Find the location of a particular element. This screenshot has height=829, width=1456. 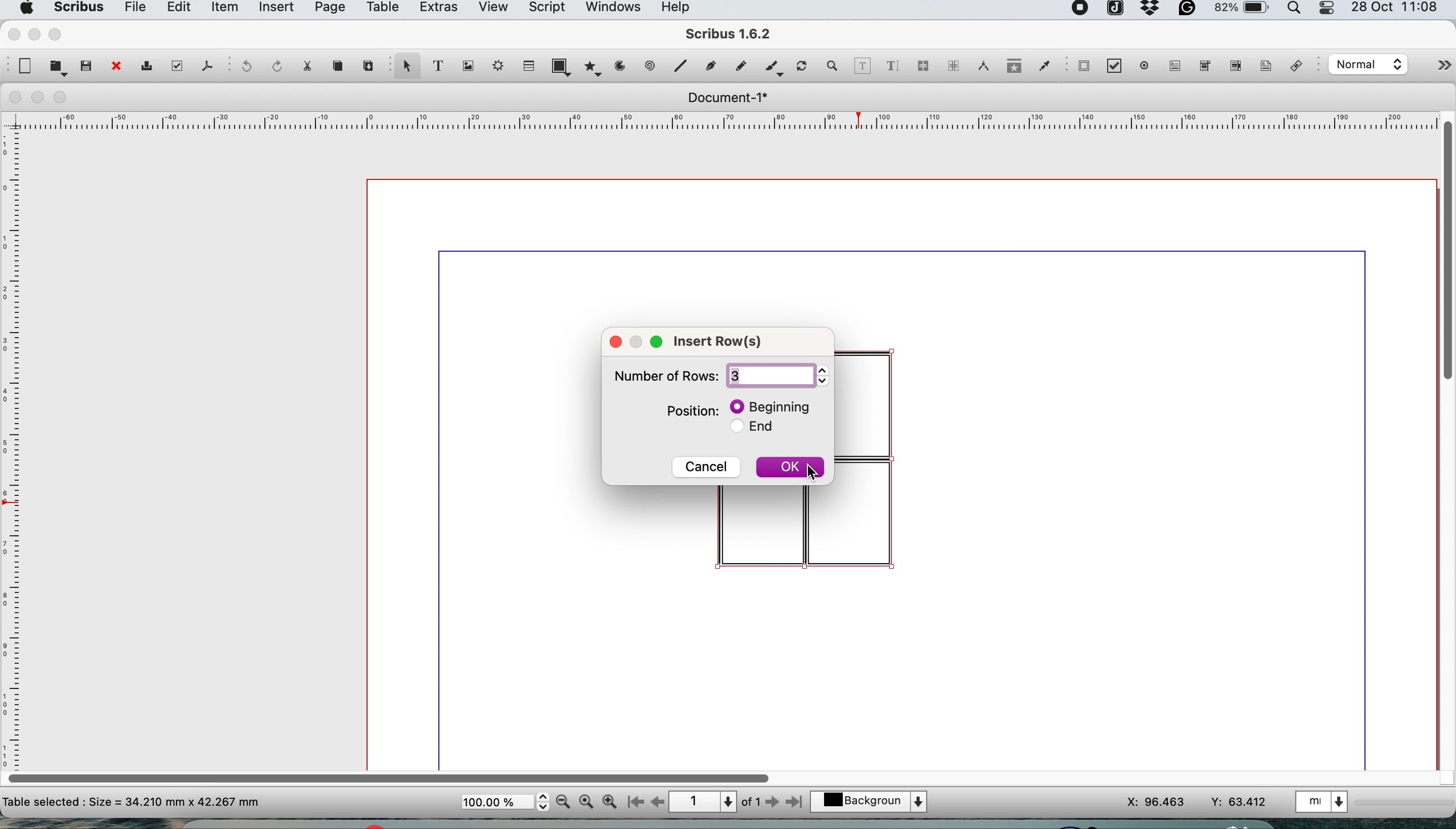

text frame is located at coordinates (437, 68).